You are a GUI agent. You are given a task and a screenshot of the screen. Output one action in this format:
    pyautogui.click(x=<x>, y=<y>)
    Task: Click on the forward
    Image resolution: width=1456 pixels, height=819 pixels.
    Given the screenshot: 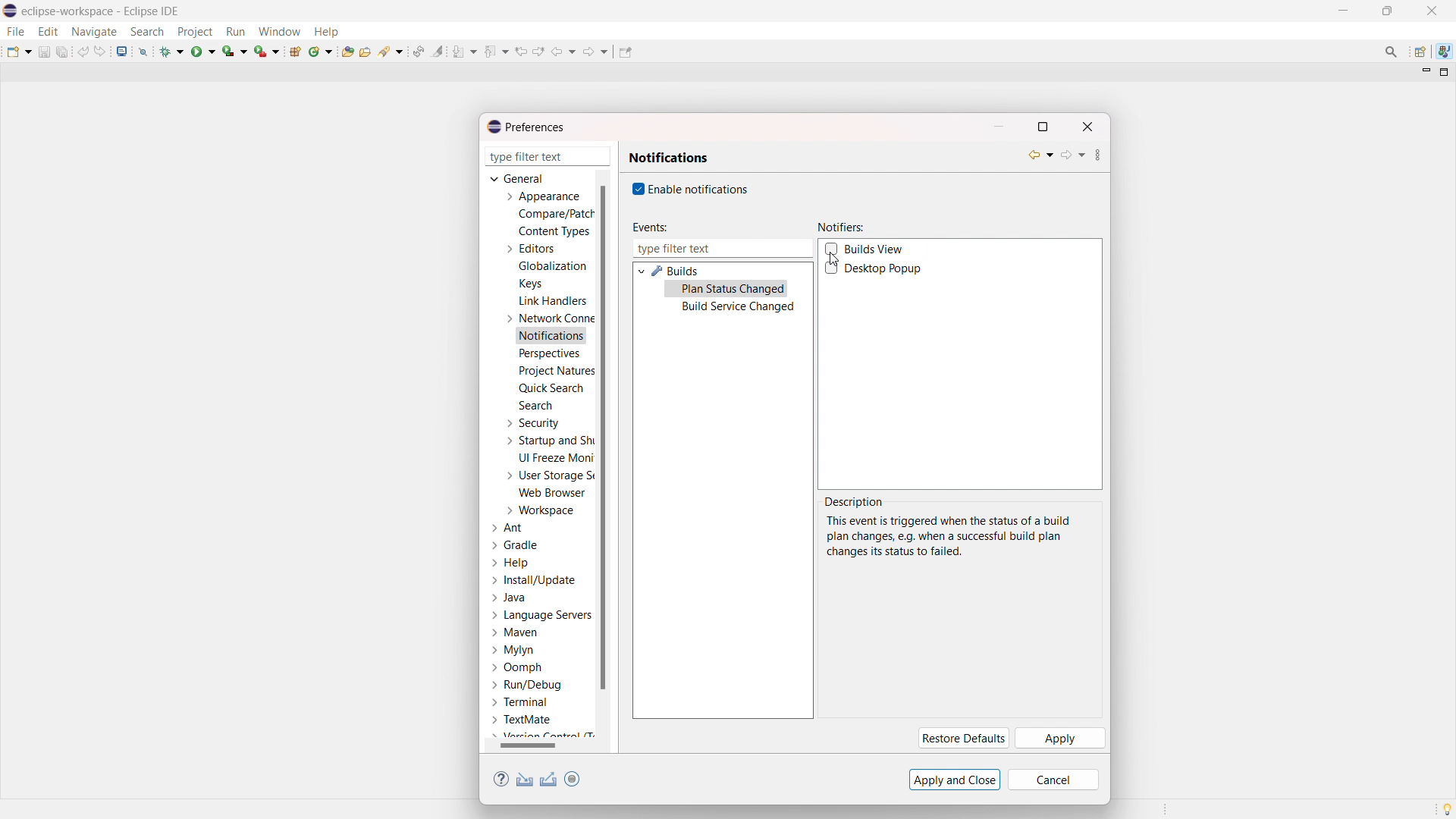 What is the action you would take?
    pyautogui.click(x=1072, y=155)
    